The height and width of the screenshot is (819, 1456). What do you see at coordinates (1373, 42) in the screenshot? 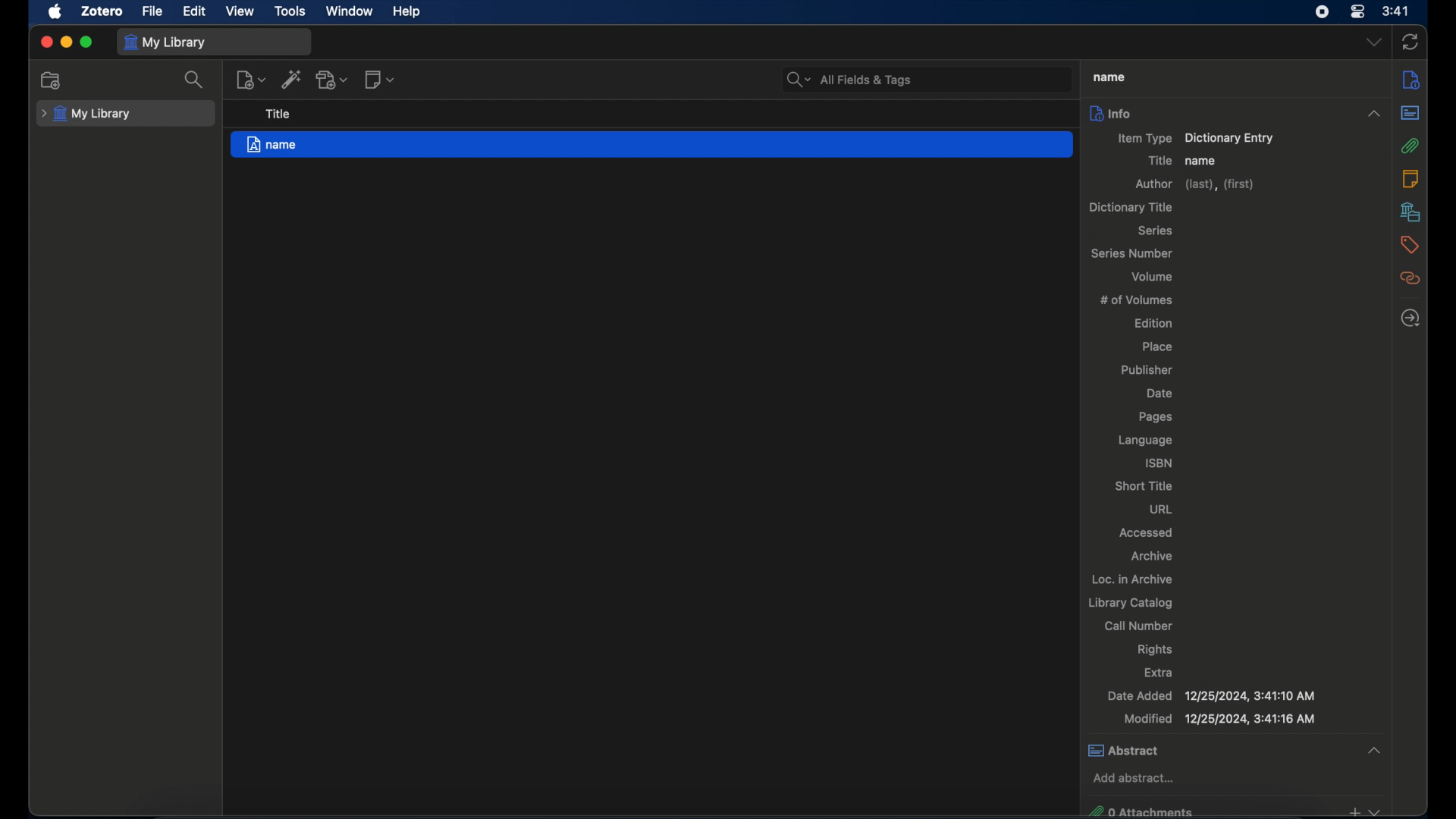
I see `dropdown` at bounding box center [1373, 42].